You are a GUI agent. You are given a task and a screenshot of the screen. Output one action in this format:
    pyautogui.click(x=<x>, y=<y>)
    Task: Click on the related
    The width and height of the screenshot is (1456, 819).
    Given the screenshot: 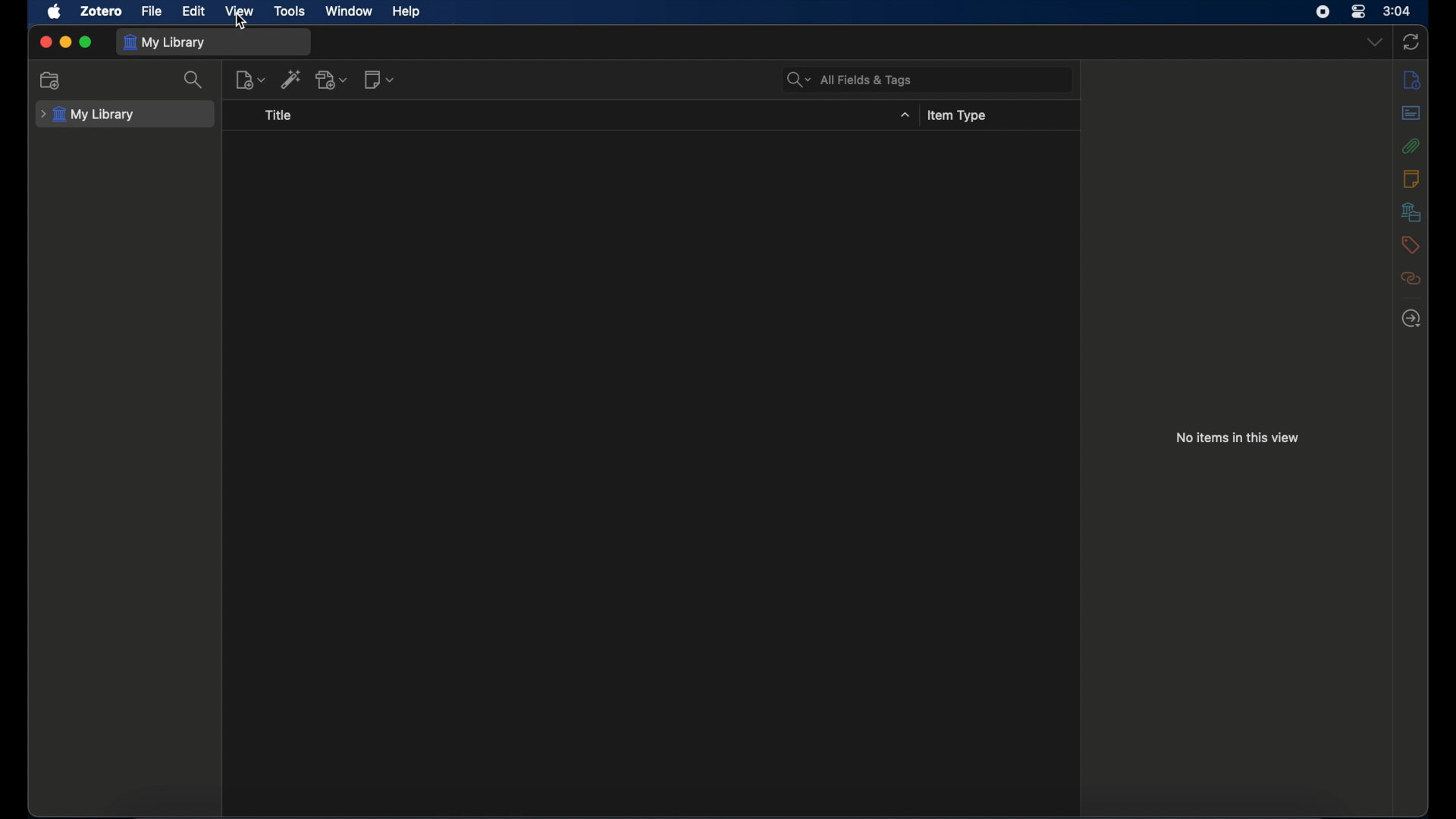 What is the action you would take?
    pyautogui.click(x=1410, y=278)
    